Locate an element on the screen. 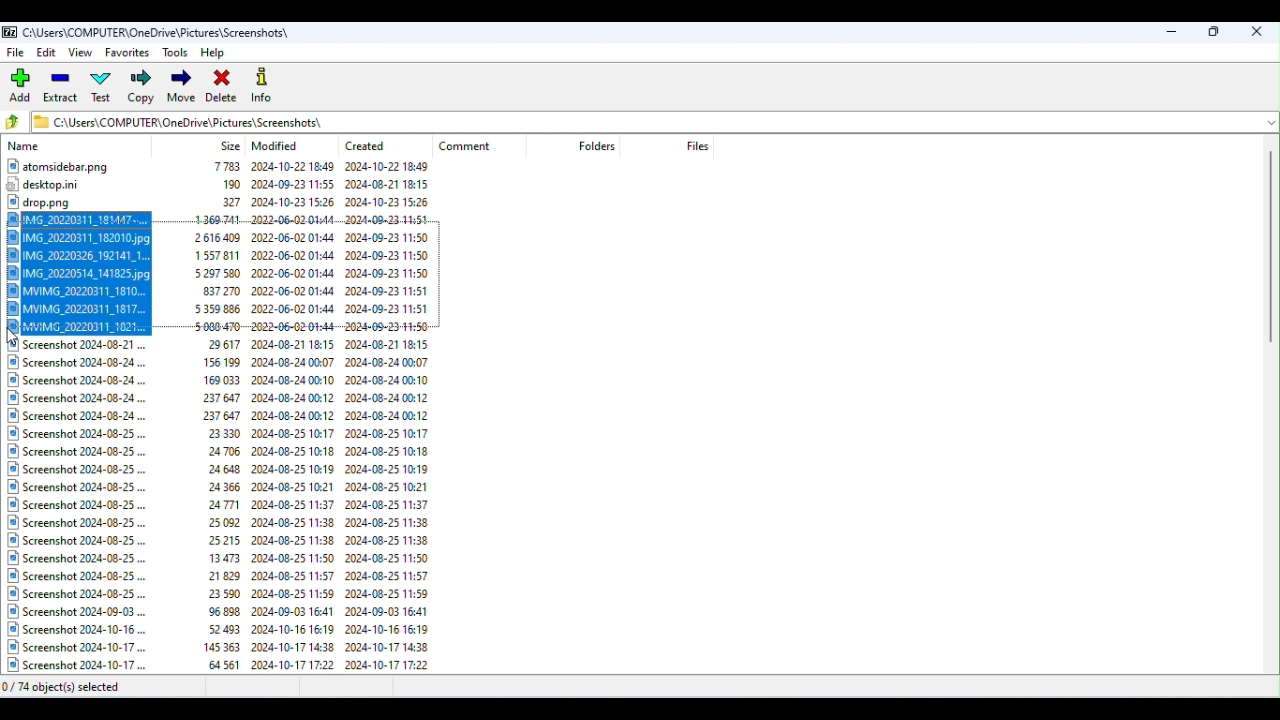 This screenshot has height=720, width=1280. Files is located at coordinates (231, 508).